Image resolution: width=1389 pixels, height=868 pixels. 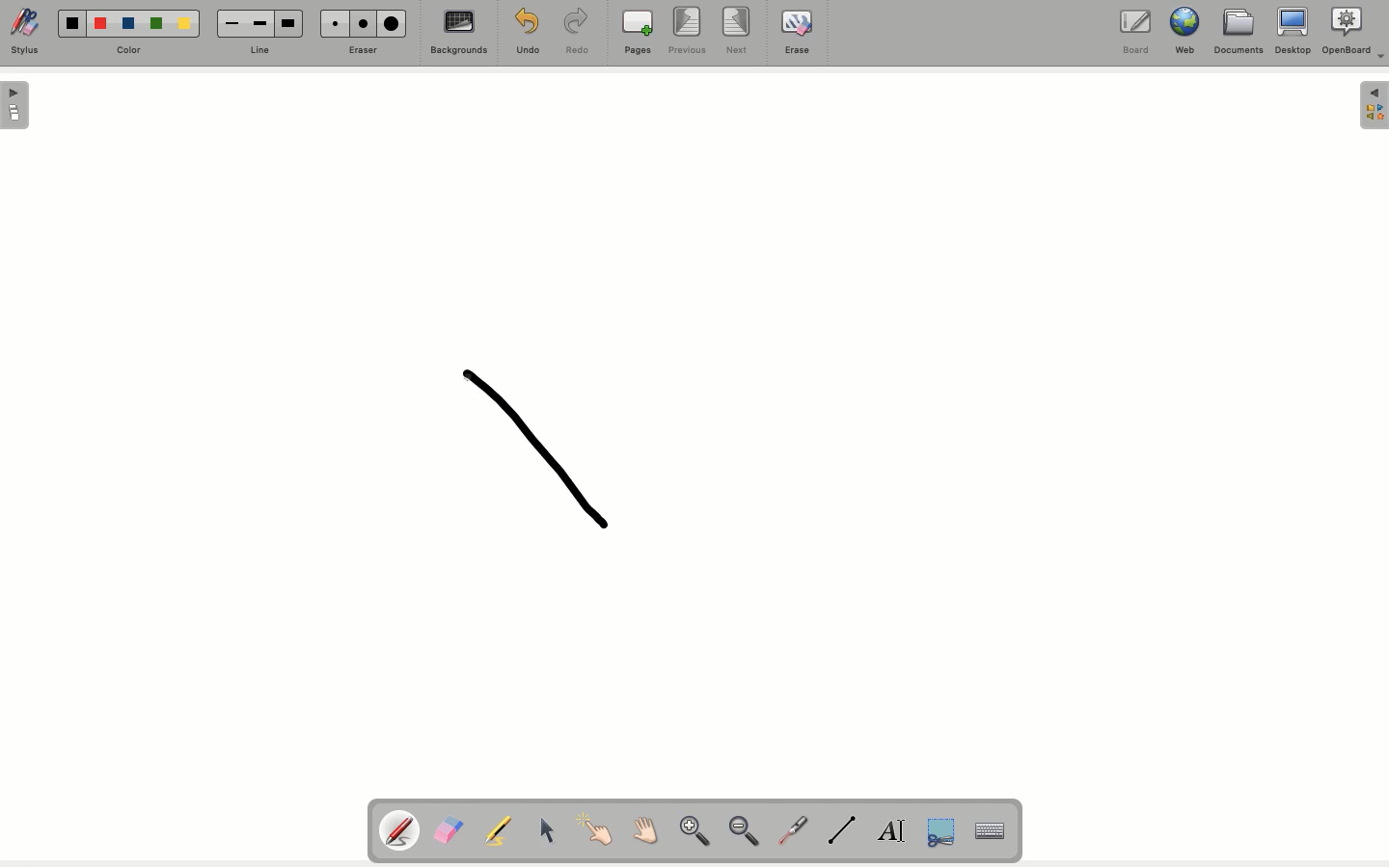 What do you see at coordinates (101, 26) in the screenshot?
I see `Red` at bounding box center [101, 26].